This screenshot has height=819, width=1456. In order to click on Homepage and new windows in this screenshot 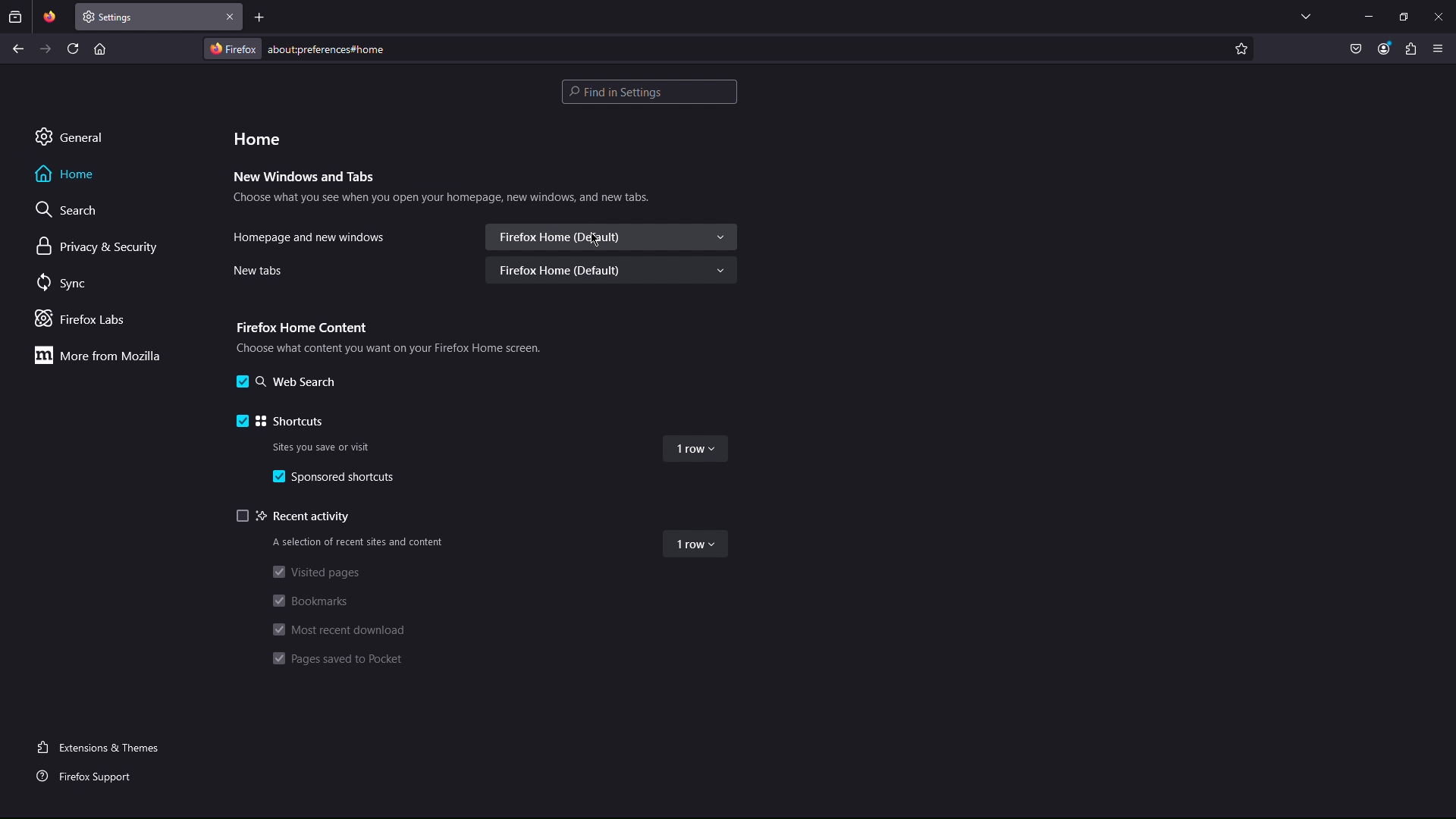, I will do `click(310, 239)`.